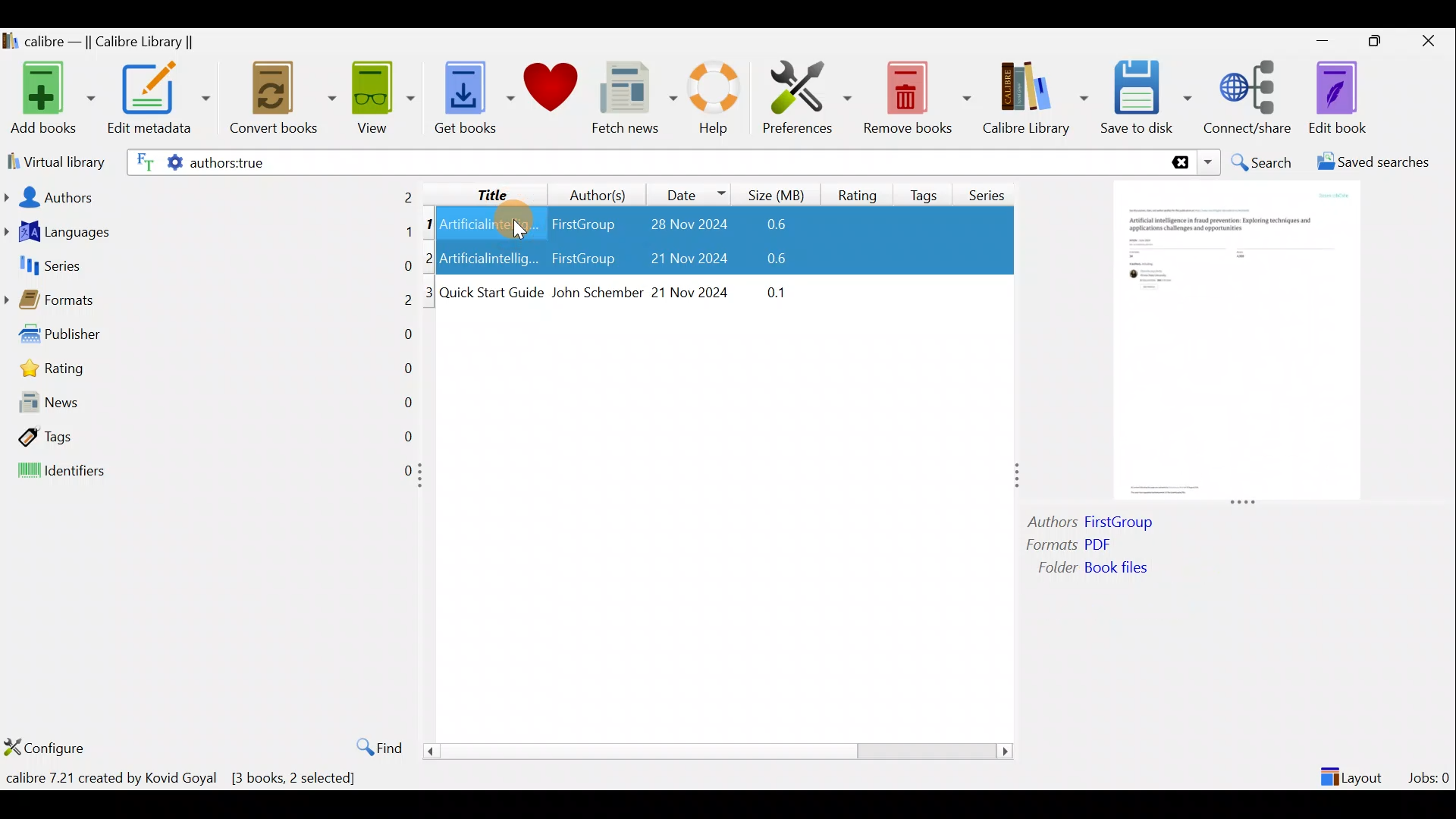 The width and height of the screenshot is (1456, 819). Describe the element at coordinates (491, 260) in the screenshot. I see `Artificial intellig` at that location.